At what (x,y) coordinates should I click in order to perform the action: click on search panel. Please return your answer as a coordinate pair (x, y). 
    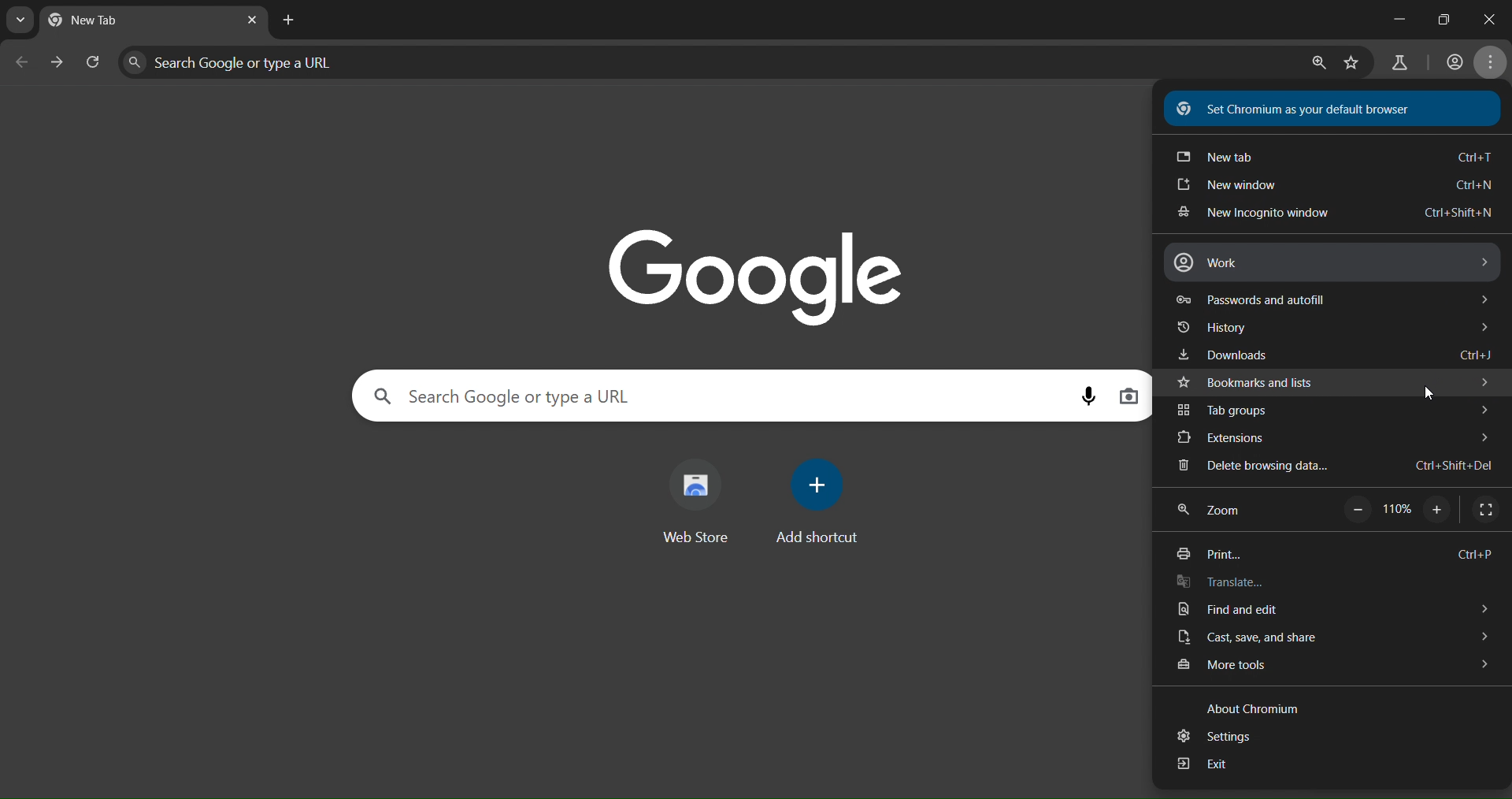
    Looking at the image, I should click on (576, 396).